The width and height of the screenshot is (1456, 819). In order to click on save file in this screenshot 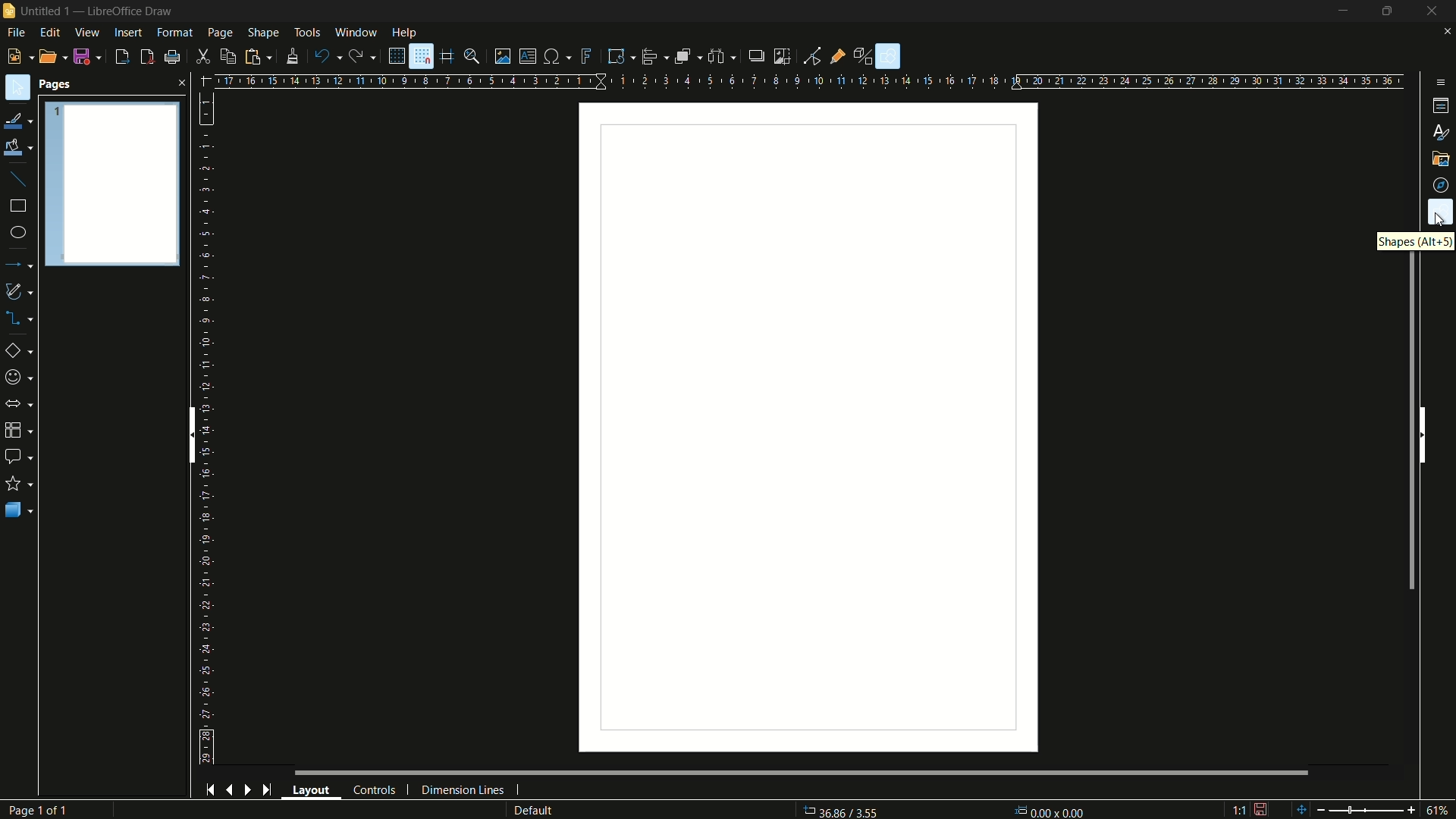, I will do `click(88, 56)`.